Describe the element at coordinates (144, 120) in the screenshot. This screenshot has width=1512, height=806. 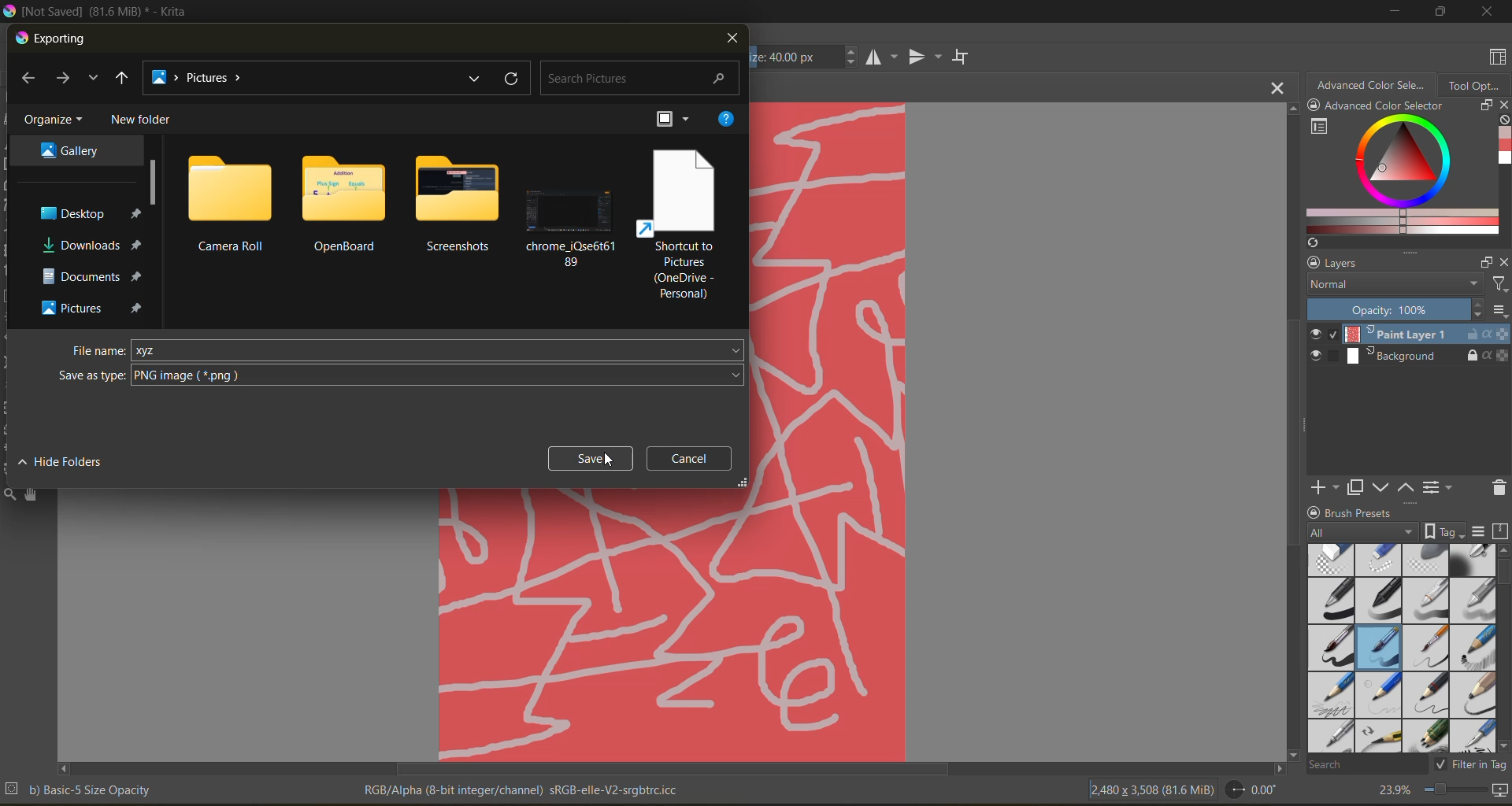
I see `new folder` at that location.